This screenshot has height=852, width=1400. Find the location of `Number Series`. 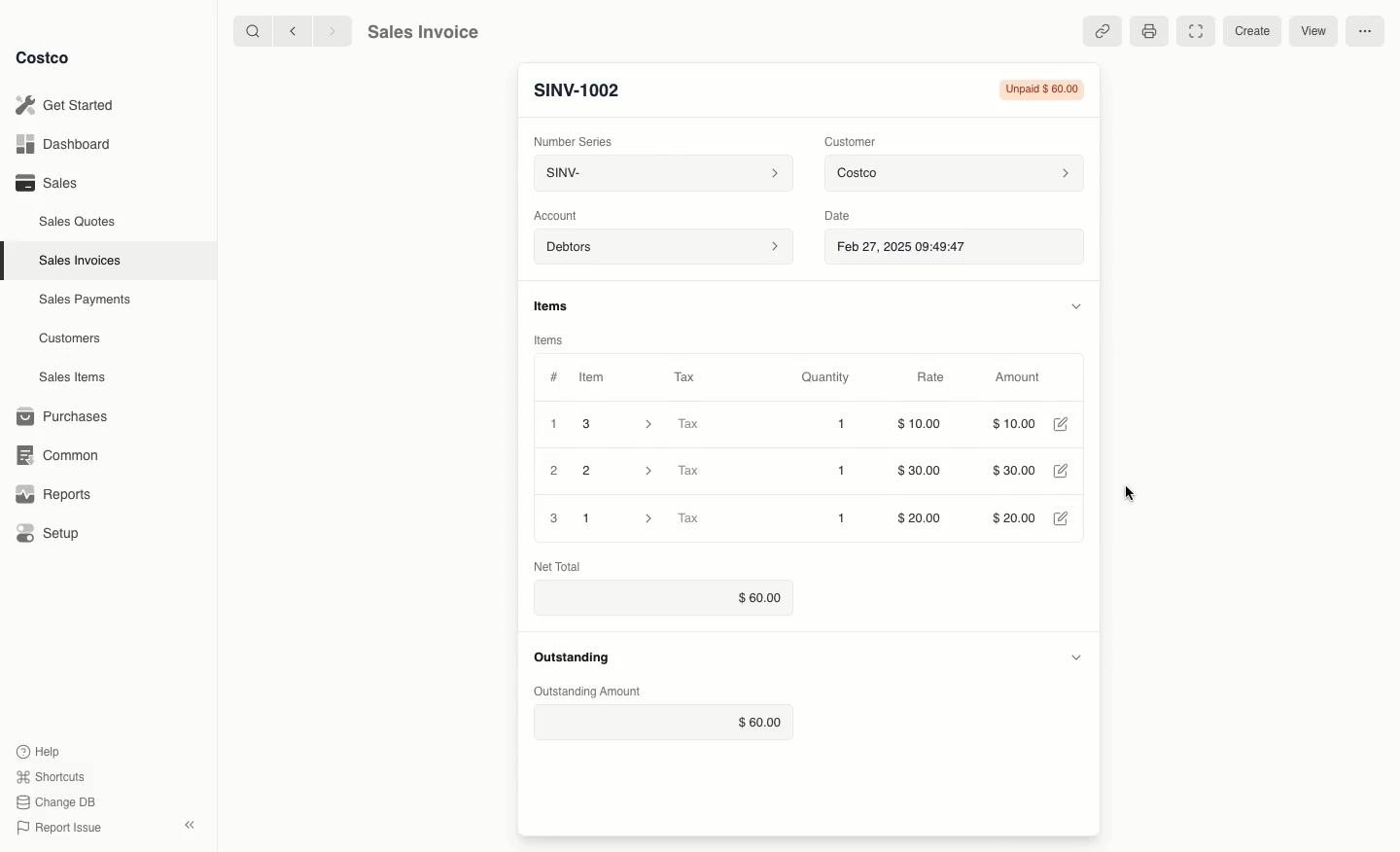

Number Series is located at coordinates (575, 140).